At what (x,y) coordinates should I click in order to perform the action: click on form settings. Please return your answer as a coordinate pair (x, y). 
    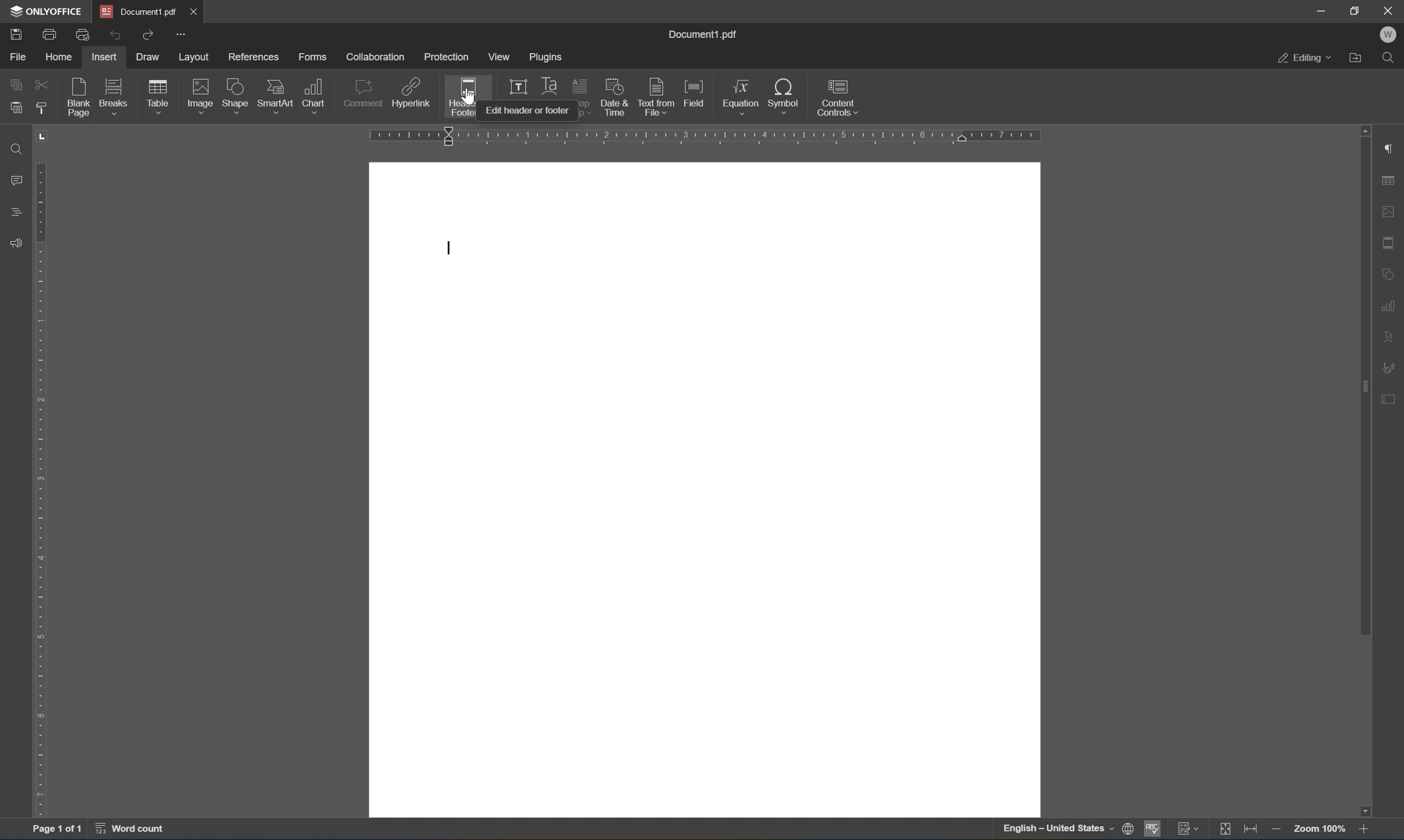
    Looking at the image, I should click on (1393, 404).